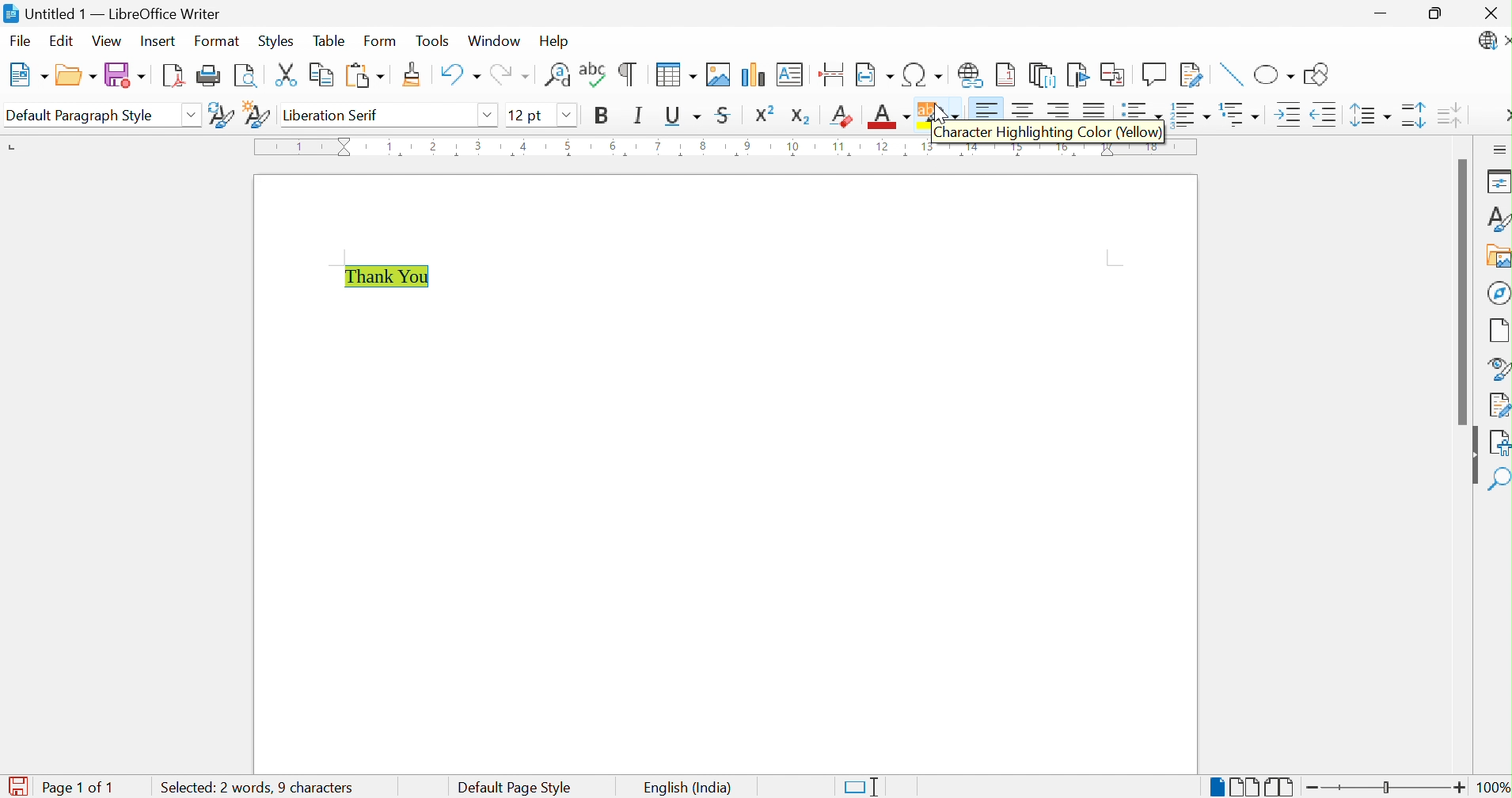 This screenshot has height=798, width=1512. What do you see at coordinates (173, 76) in the screenshot?
I see `Export as PDF` at bounding box center [173, 76].